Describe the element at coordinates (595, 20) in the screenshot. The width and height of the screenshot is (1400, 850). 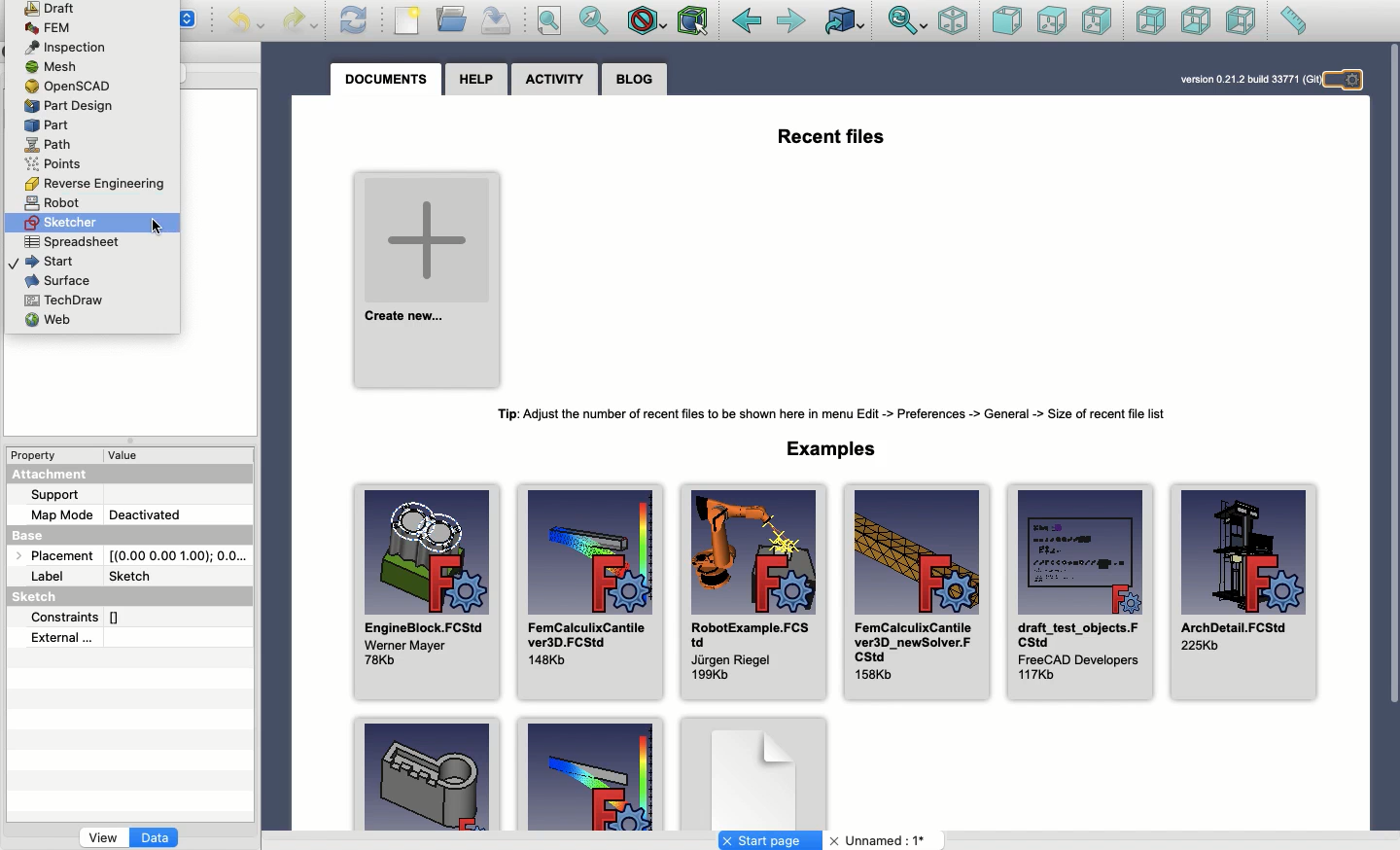
I see `Fit selection` at that location.